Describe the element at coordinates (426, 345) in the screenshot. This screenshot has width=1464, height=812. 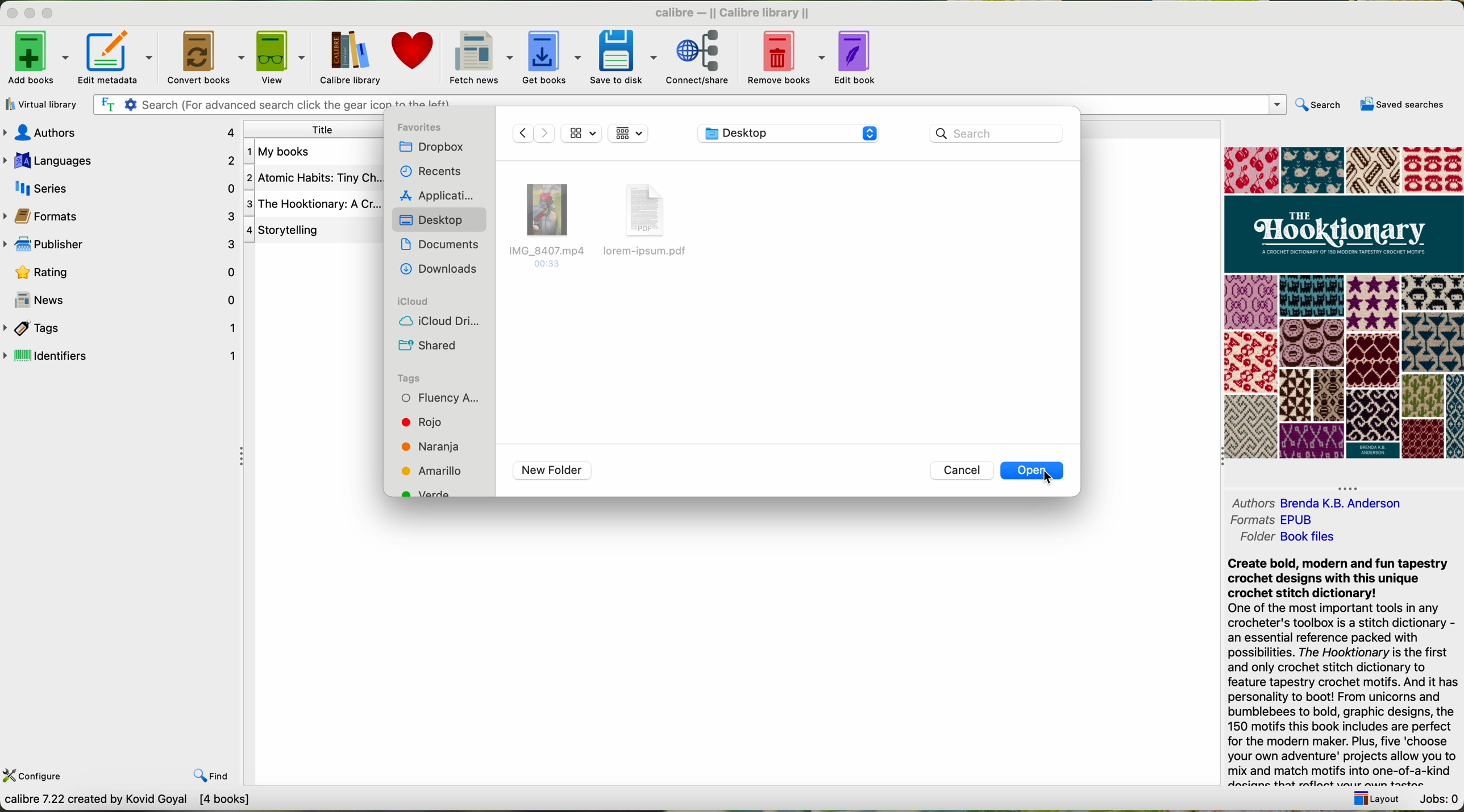
I see `shared` at that location.